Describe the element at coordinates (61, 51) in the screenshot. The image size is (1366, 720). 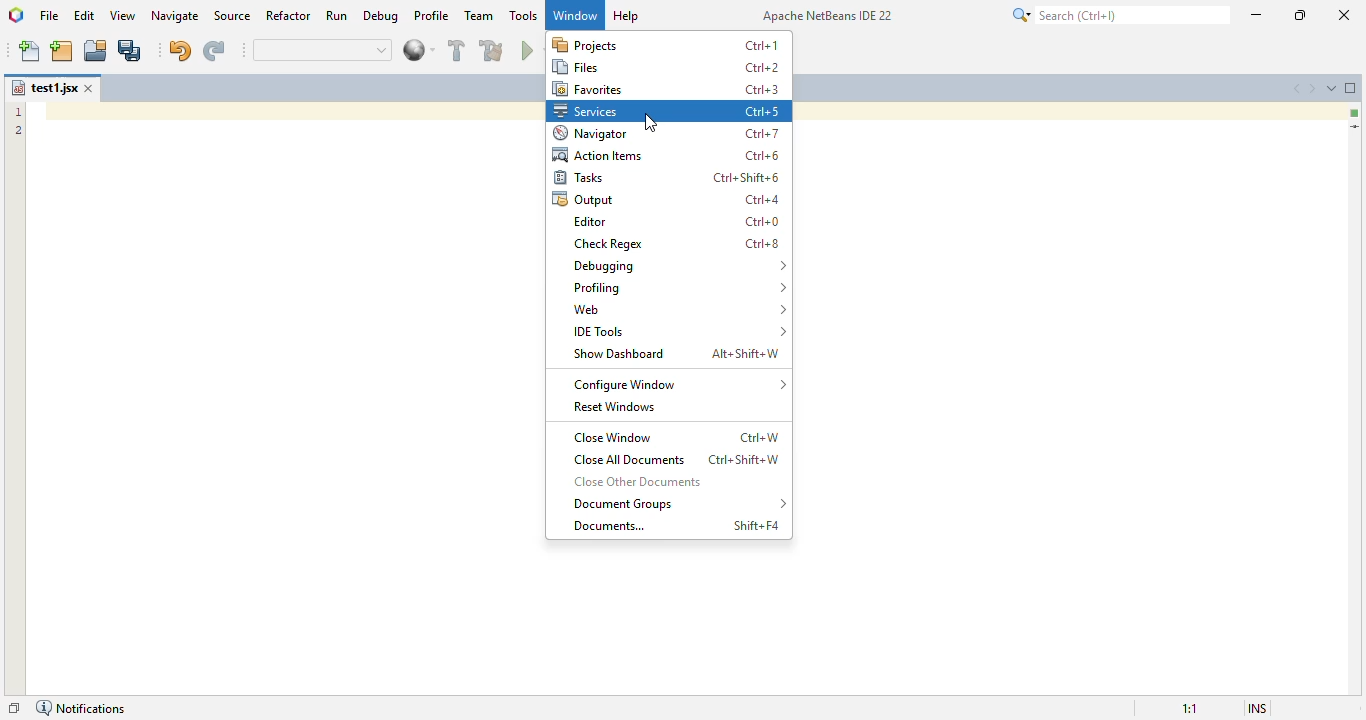
I see `new project` at that location.